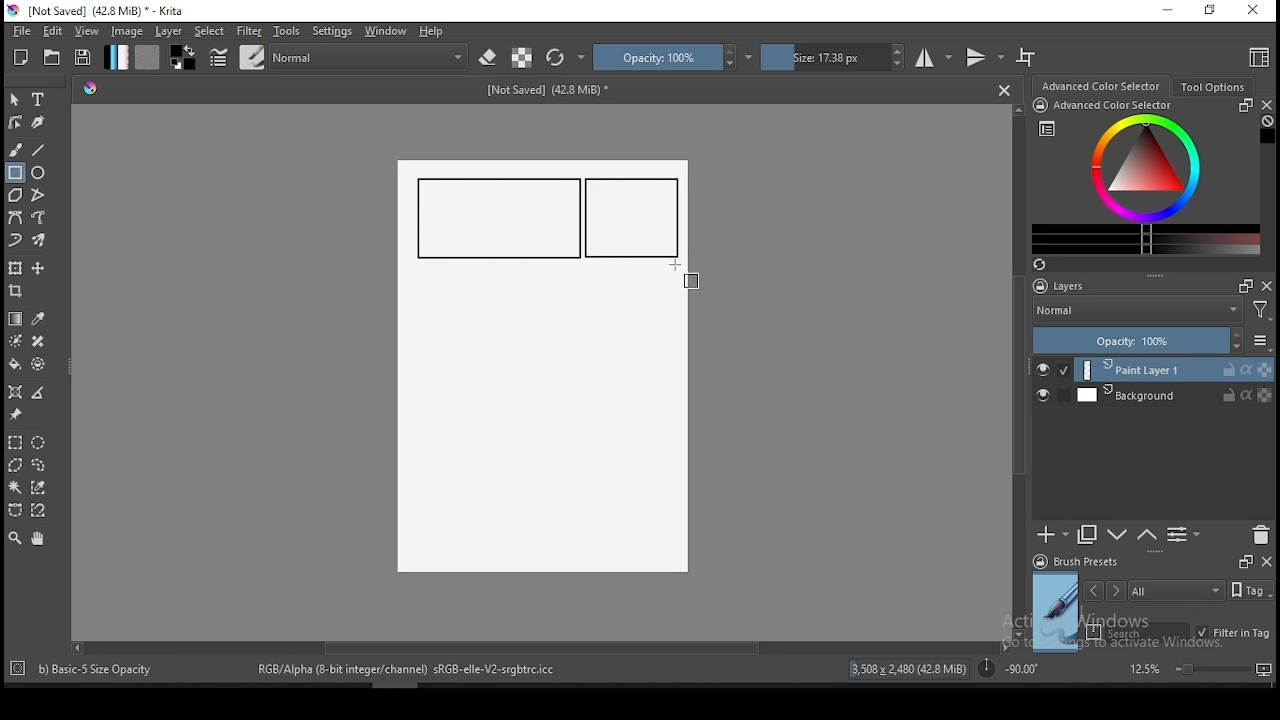 Image resolution: width=1280 pixels, height=720 pixels. I want to click on Refresh, so click(1047, 266).